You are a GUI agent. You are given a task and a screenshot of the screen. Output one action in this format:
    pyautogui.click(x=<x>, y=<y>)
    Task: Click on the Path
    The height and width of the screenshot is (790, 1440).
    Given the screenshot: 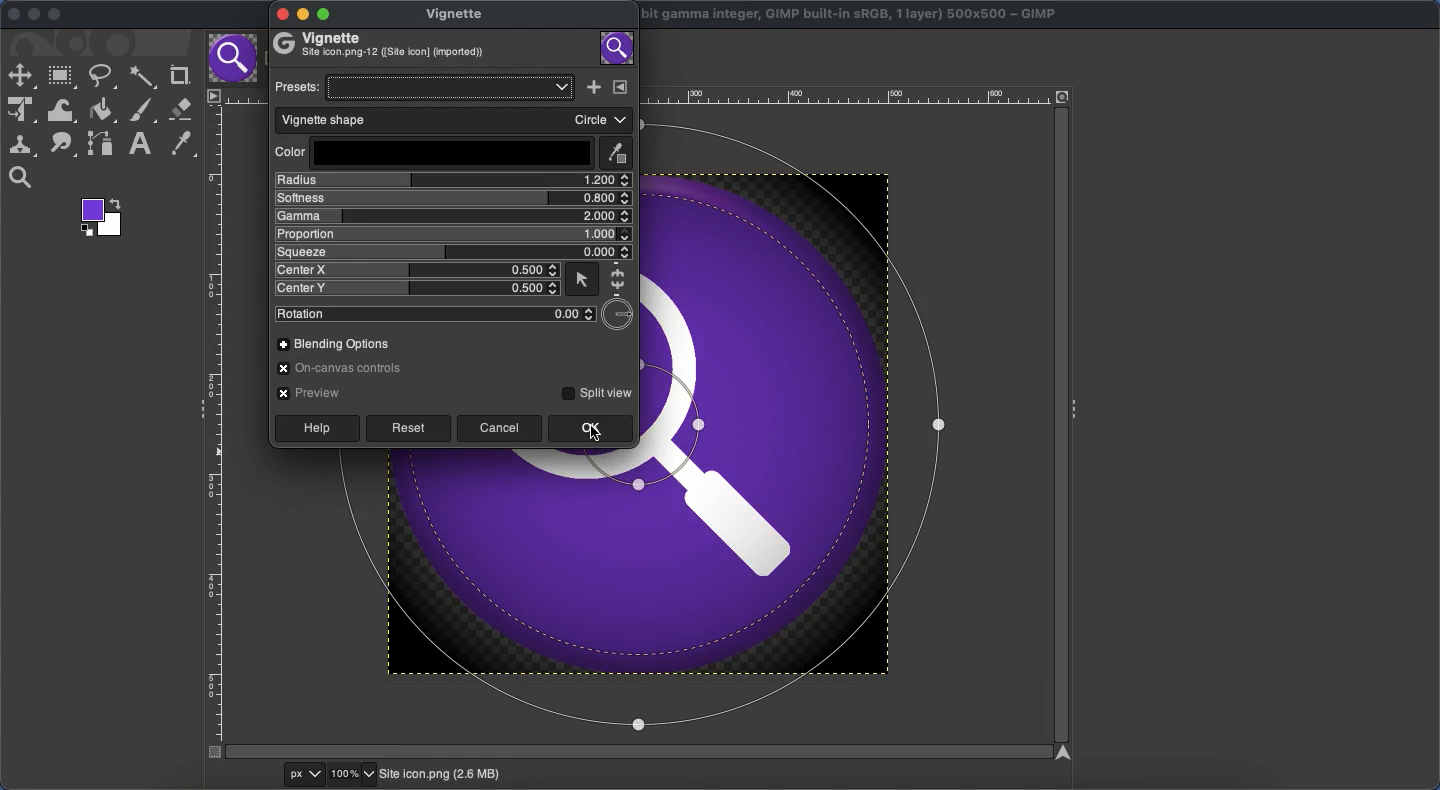 What is the action you would take?
    pyautogui.click(x=101, y=143)
    